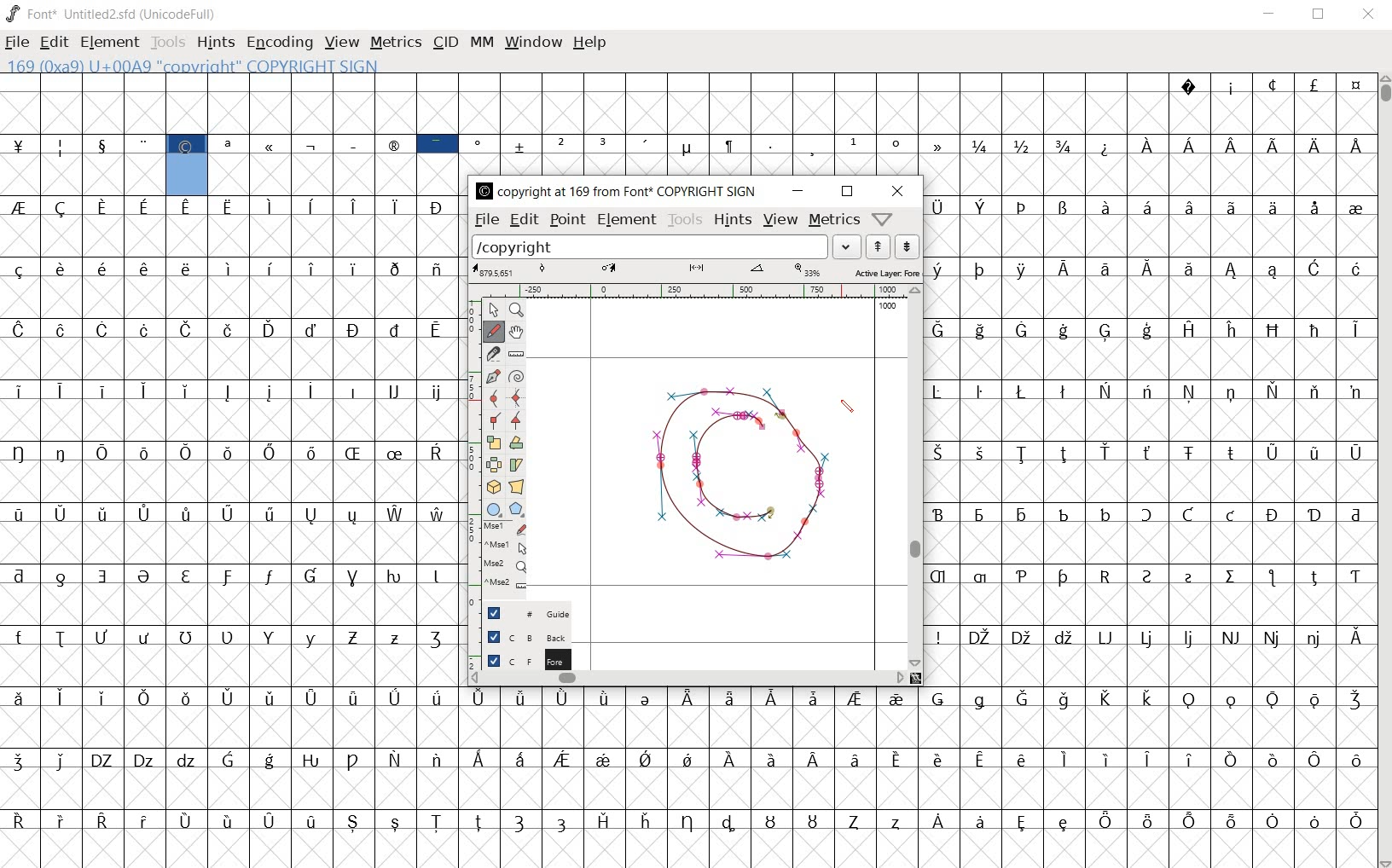 The height and width of the screenshot is (868, 1392). Describe the element at coordinates (589, 43) in the screenshot. I see `help` at that location.